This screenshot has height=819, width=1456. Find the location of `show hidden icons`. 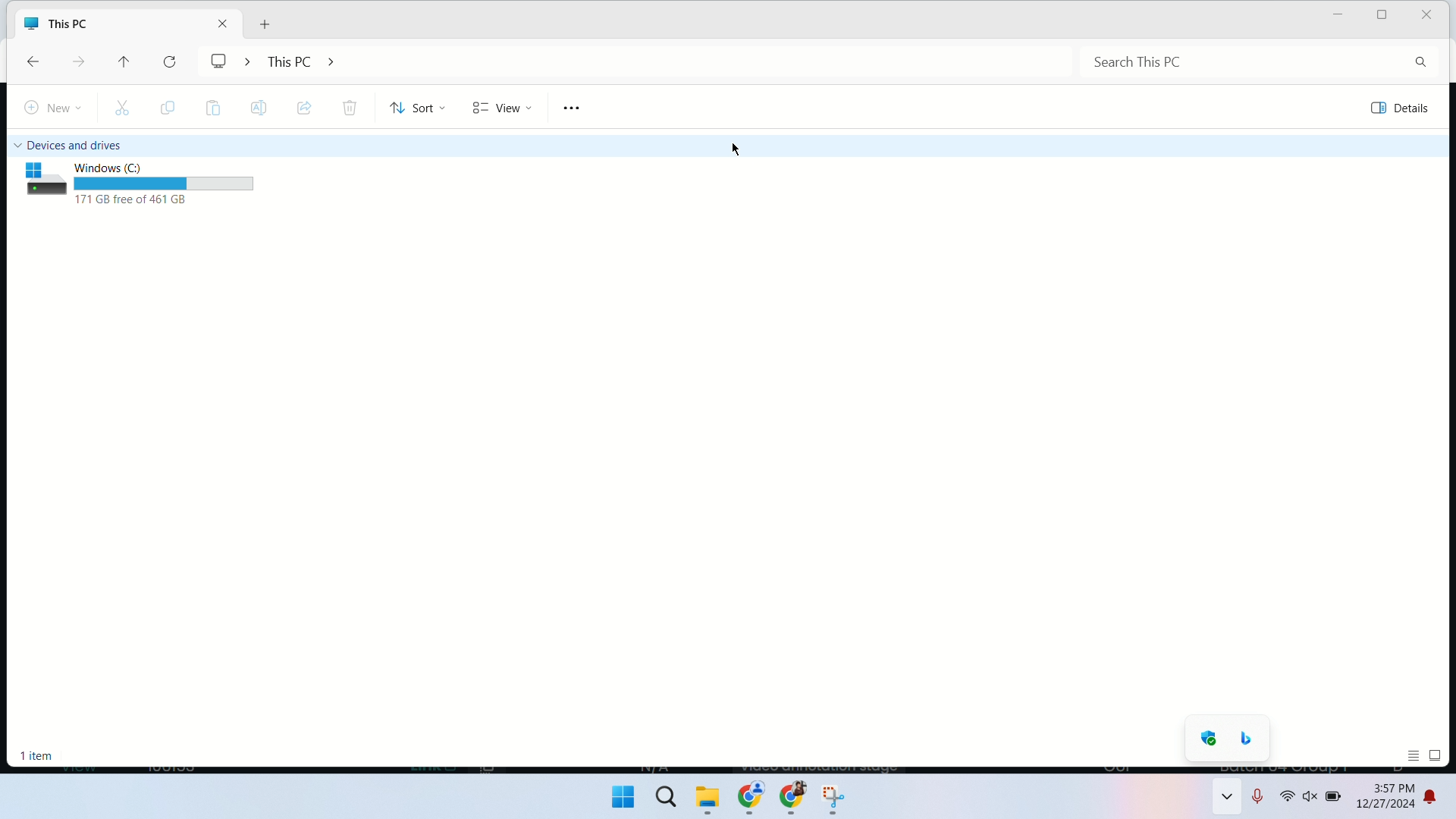

show hidden icons is located at coordinates (1227, 800).